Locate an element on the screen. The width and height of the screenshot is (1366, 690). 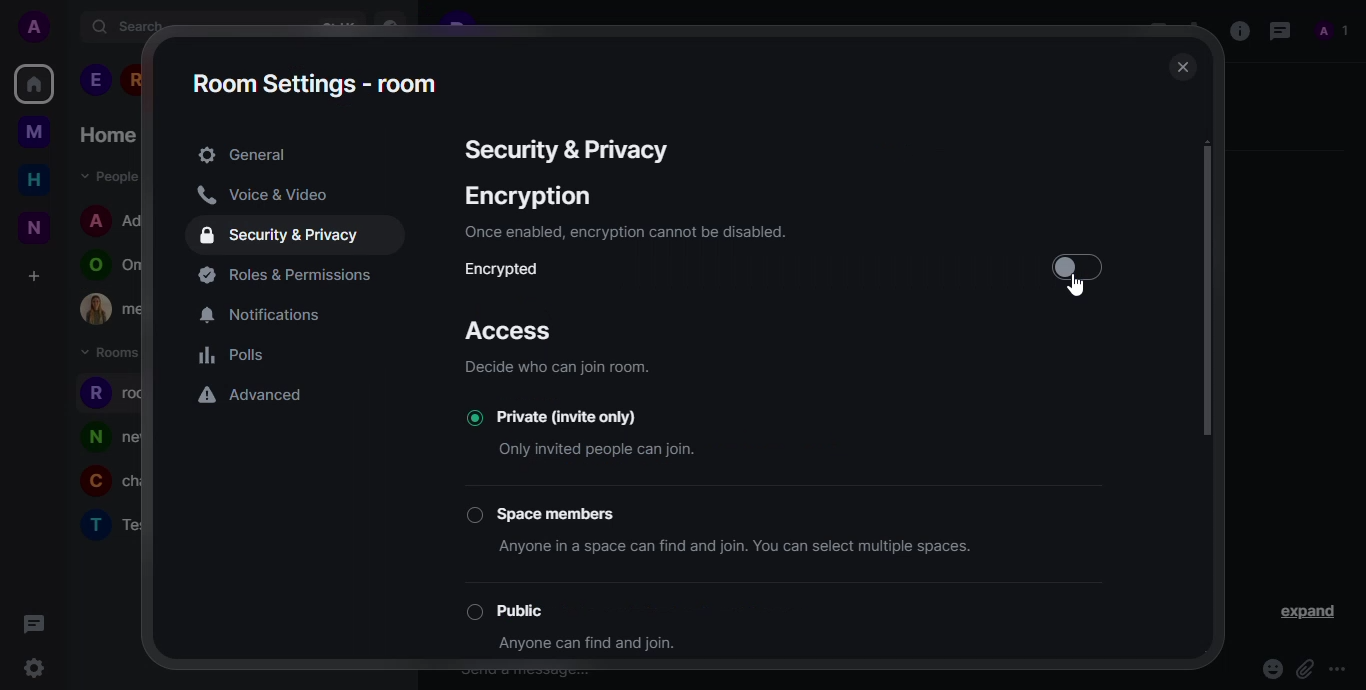
people is located at coordinates (106, 175).